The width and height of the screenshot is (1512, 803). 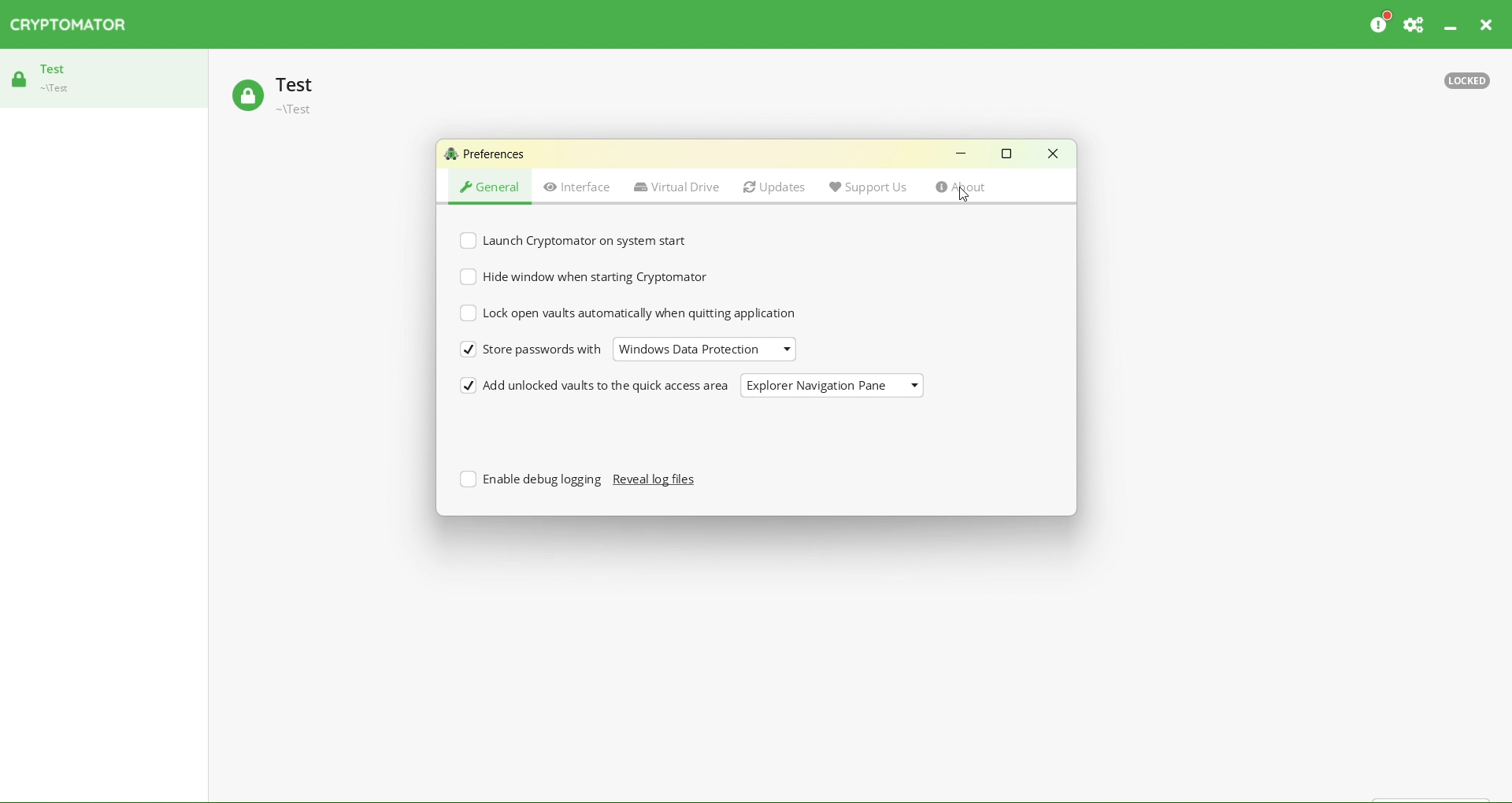 What do you see at coordinates (312, 96) in the screenshot?
I see `Test` at bounding box center [312, 96].